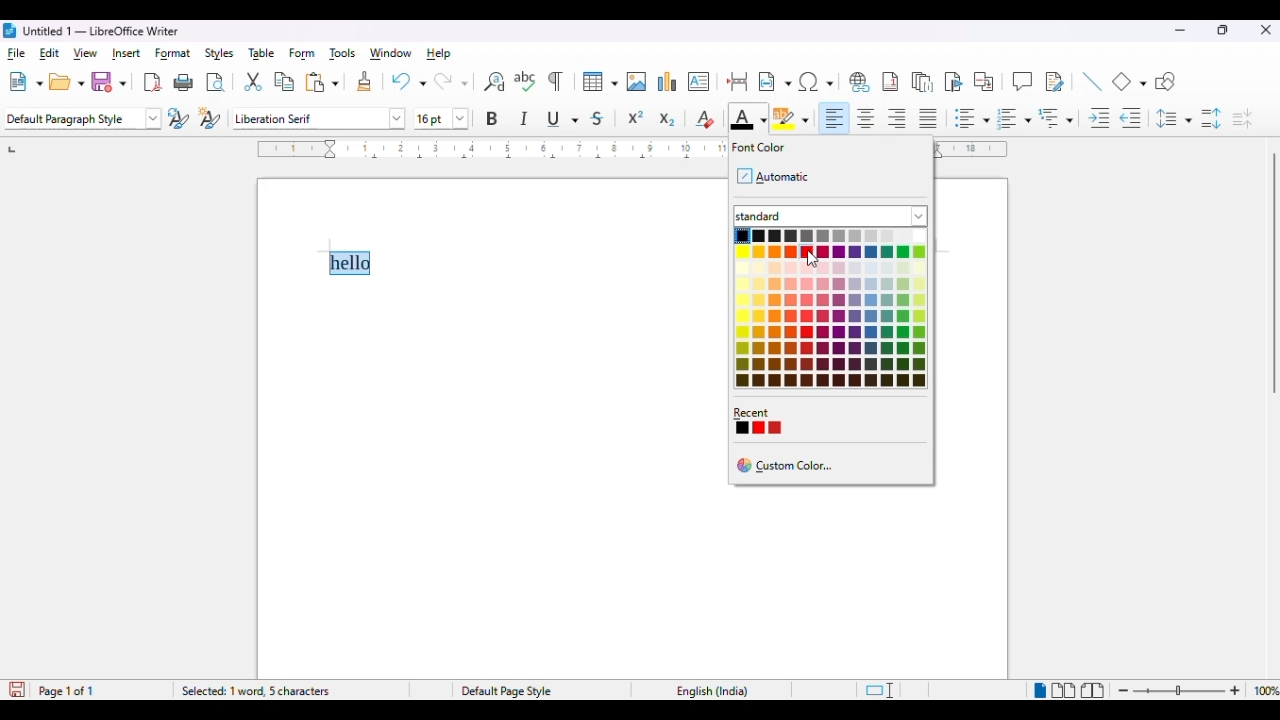 This screenshot has height=720, width=1280. I want to click on logo, so click(10, 30).